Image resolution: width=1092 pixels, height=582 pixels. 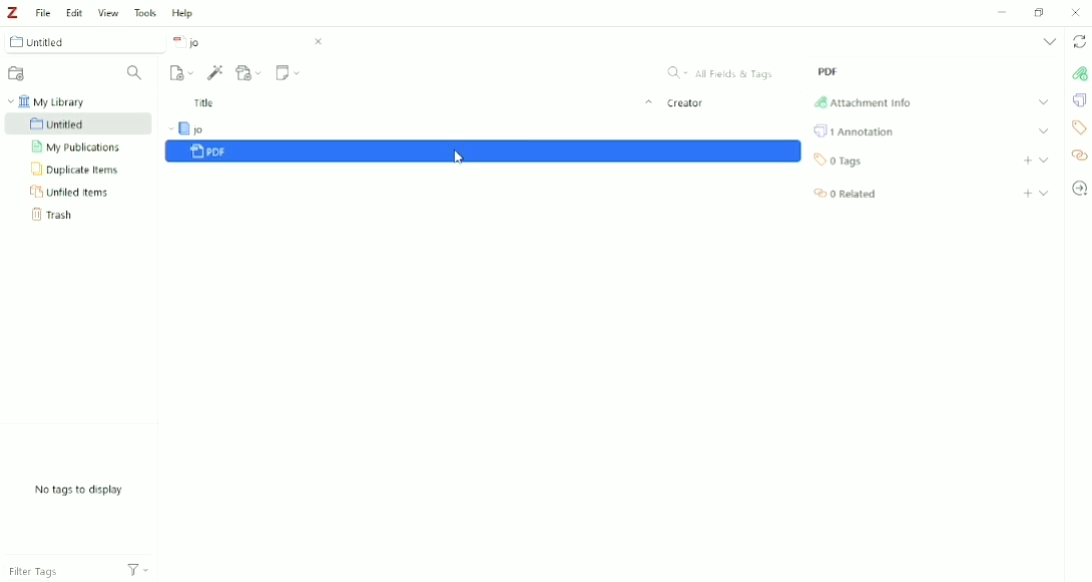 What do you see at coordinates (69, 192) in the screenshot?
I see `Unfiled Items` at bounding box center [69, 192].